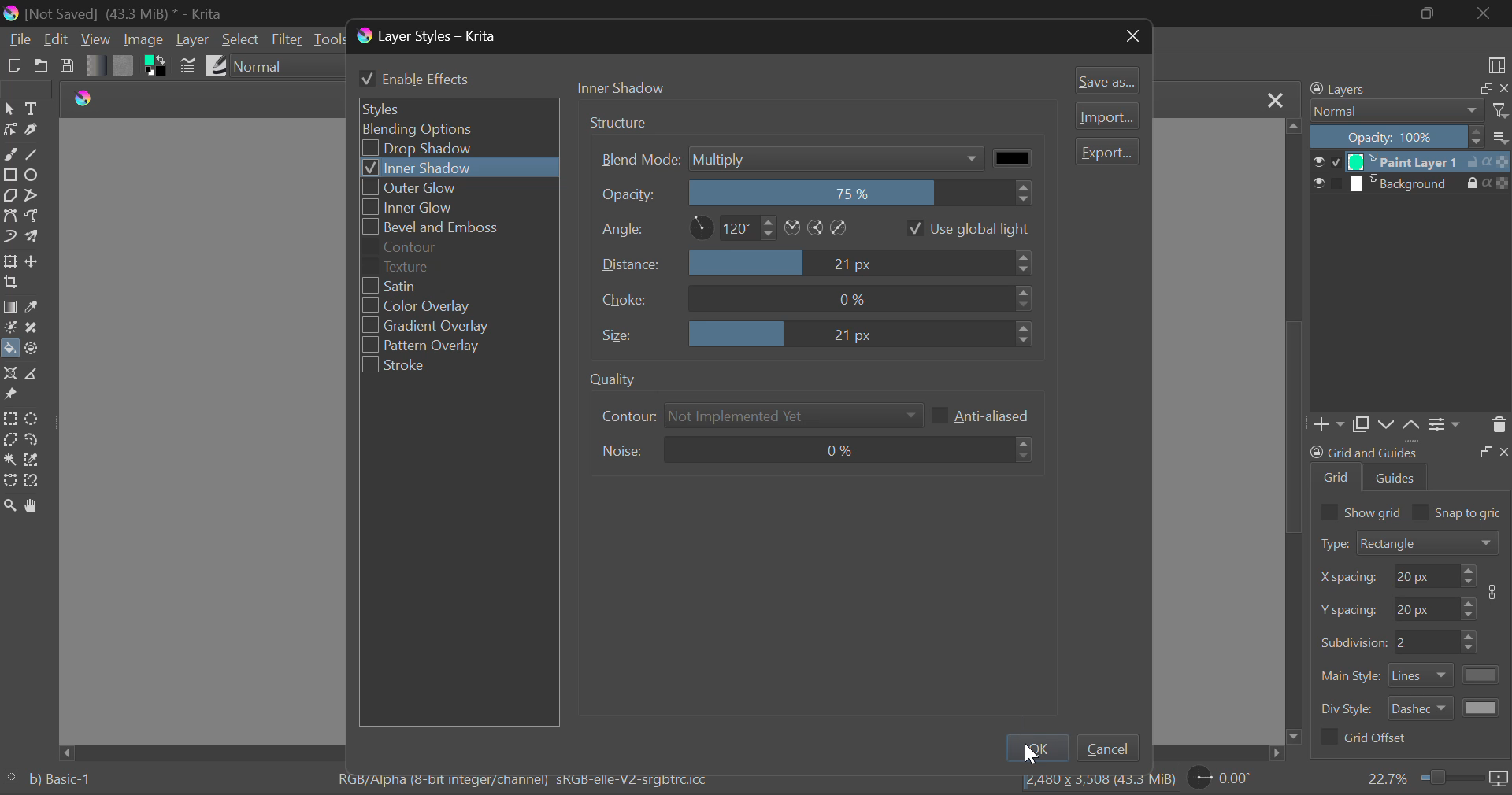 This screenshot has width=1512, height=795. Describe the element at coordinates (9, 482) in the screenshot. I see `Bezier Curve Selection` at that location.